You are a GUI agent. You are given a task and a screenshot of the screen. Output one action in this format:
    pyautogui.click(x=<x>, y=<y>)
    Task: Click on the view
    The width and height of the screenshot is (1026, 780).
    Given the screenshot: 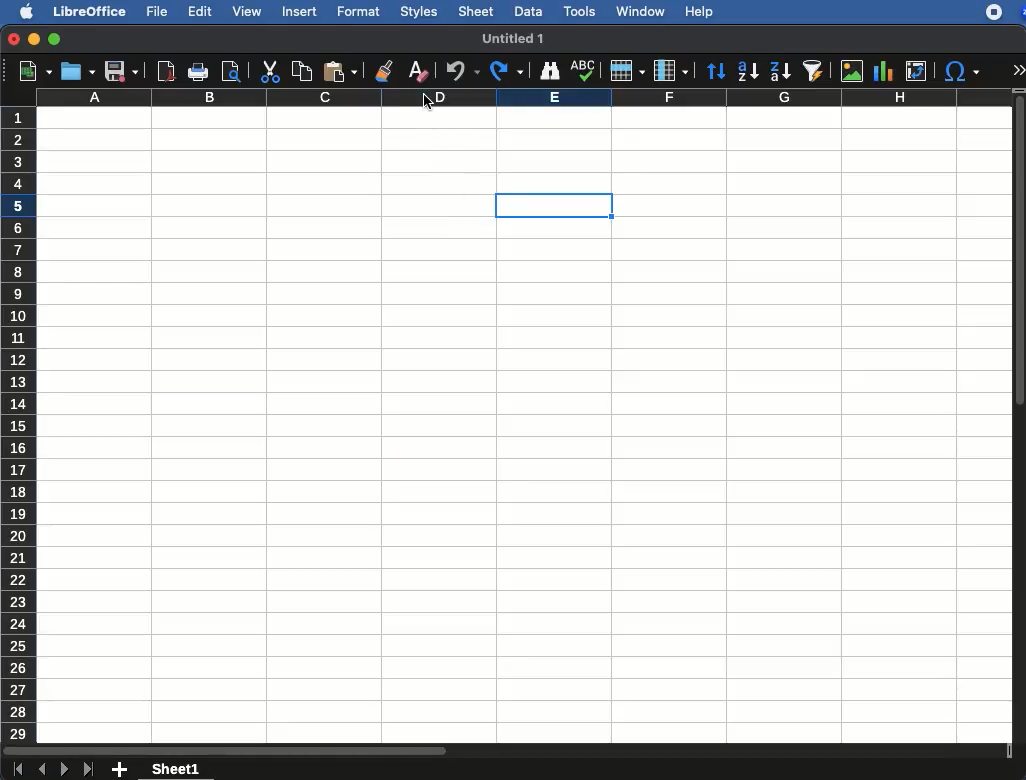 What is the action you would take?
    pyautogui.click(x=247, y=11)
    